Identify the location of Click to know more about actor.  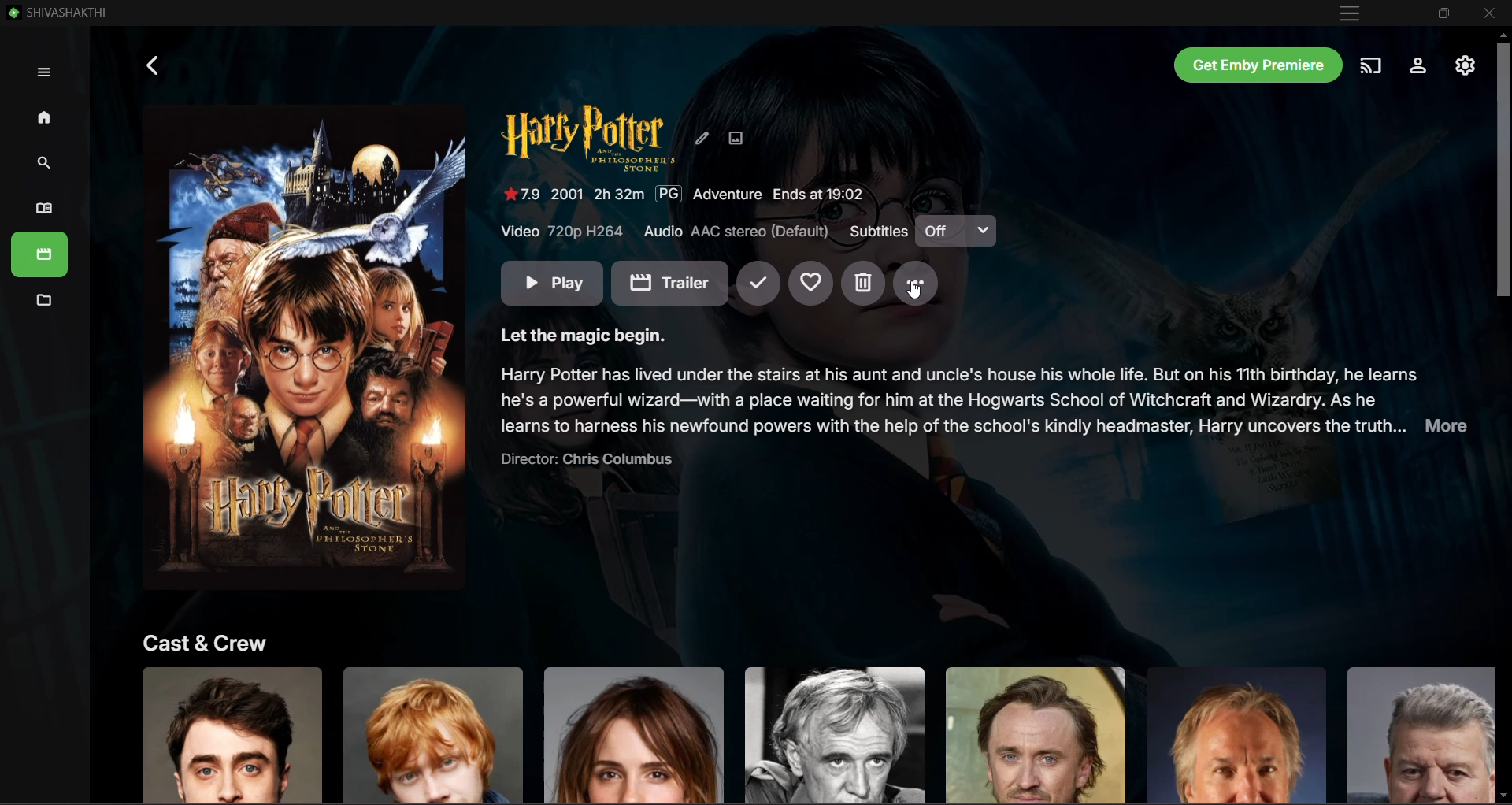
(1235, 734).